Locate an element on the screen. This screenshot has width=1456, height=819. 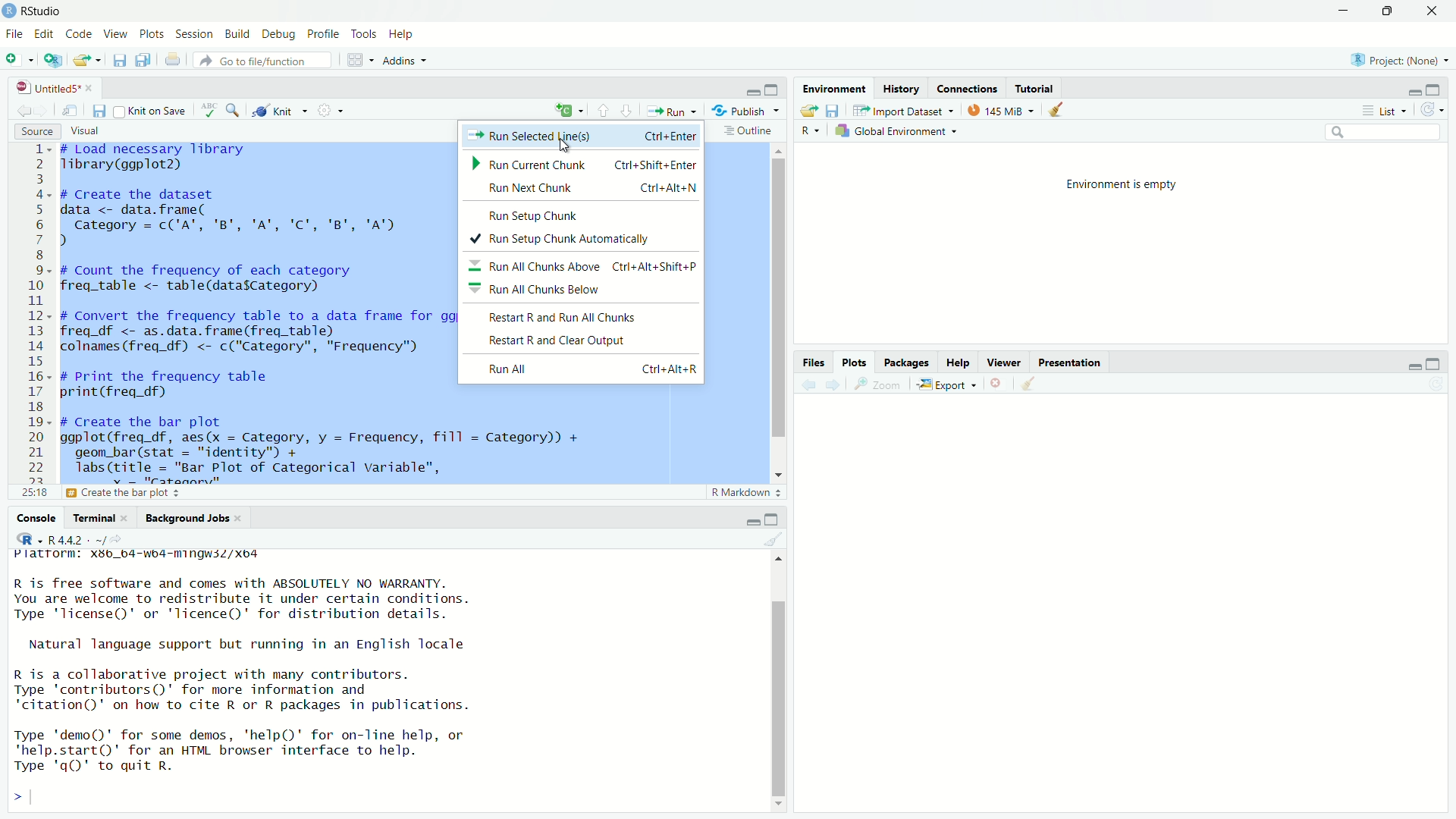
go back is located at coordinates (24, 111).